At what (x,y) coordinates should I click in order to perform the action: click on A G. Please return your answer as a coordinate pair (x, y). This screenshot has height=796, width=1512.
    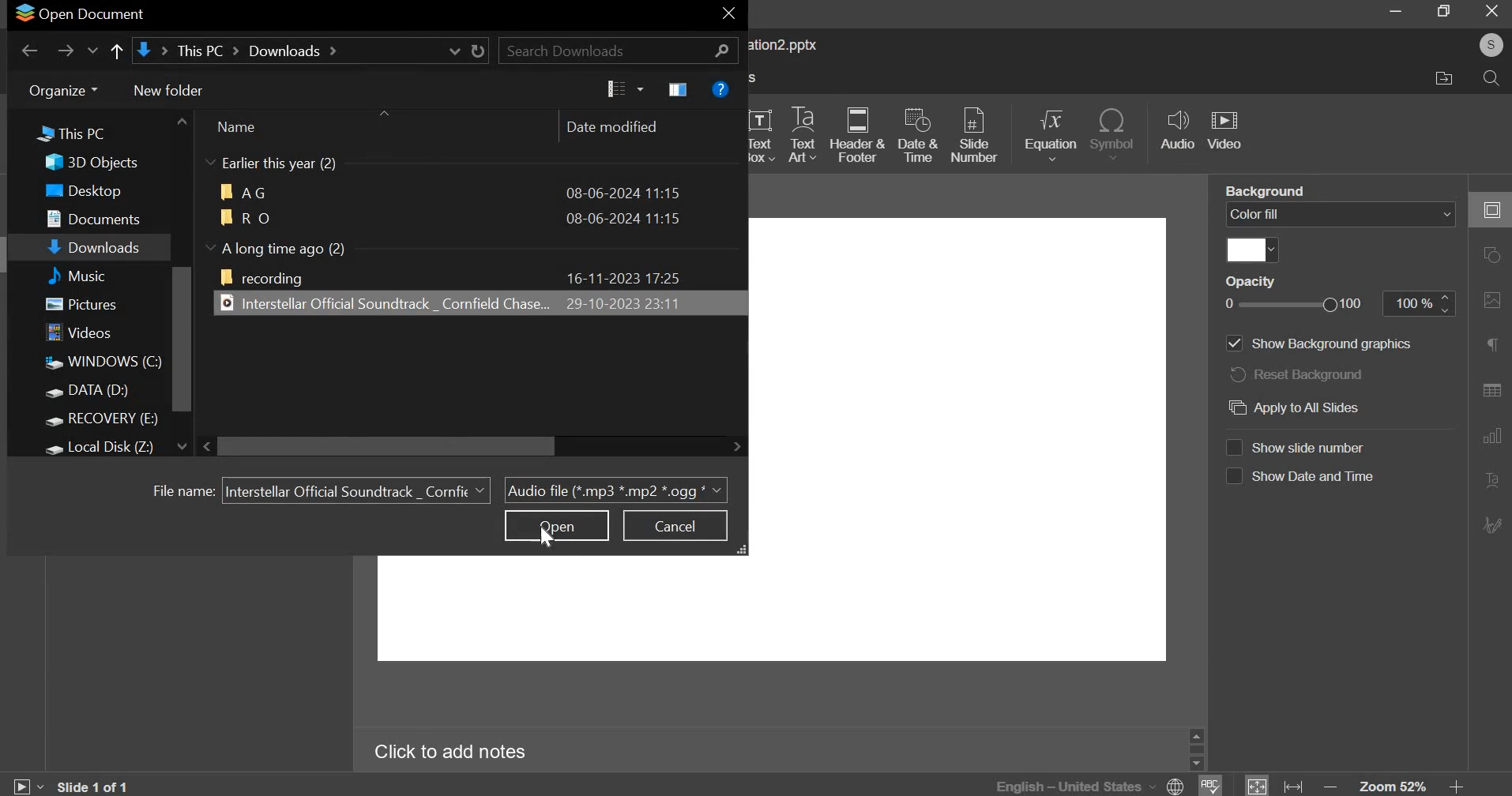
    Looking at the image, I should click on (245, 192).